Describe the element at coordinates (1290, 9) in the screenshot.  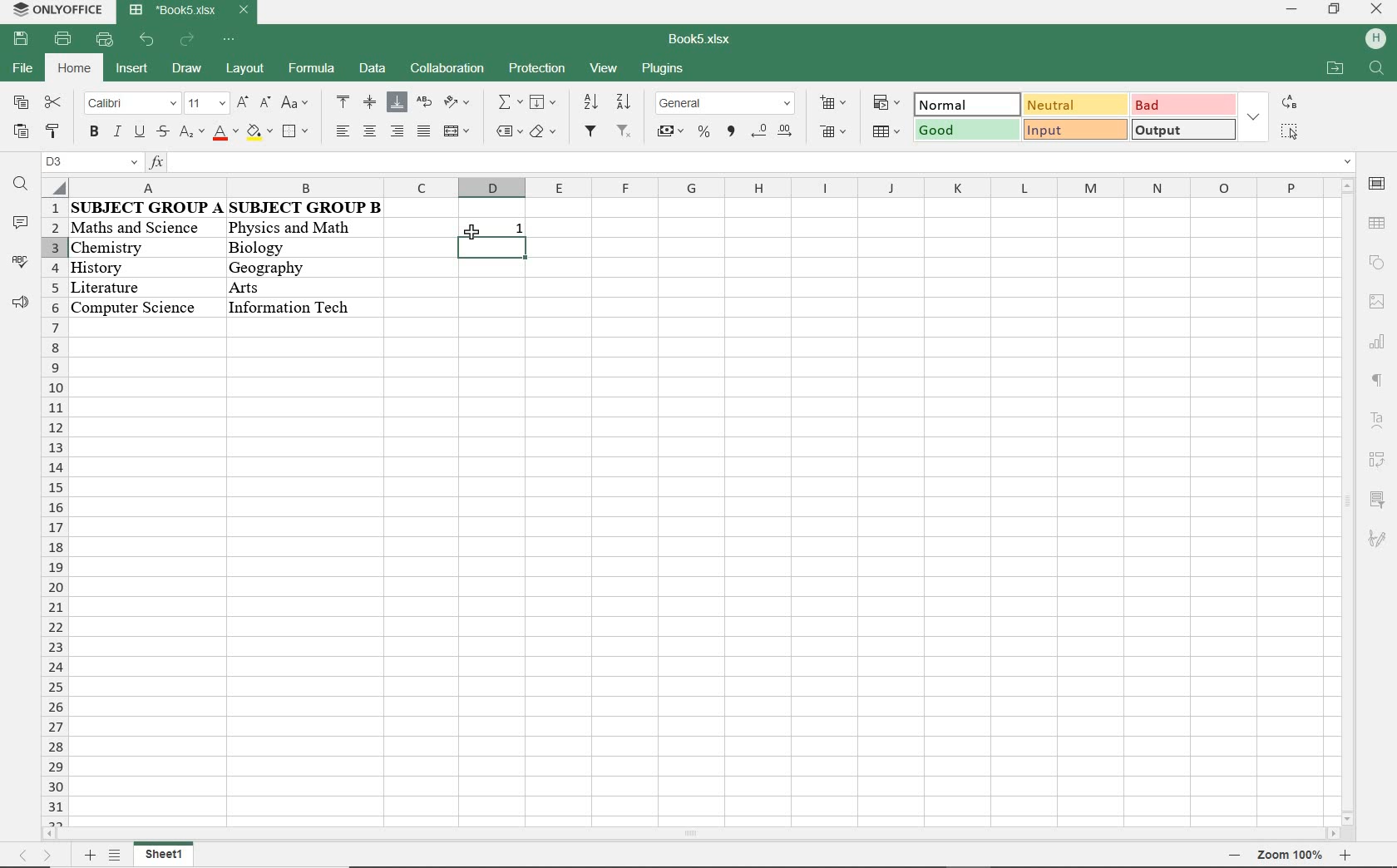
I see `minimize` at that location.